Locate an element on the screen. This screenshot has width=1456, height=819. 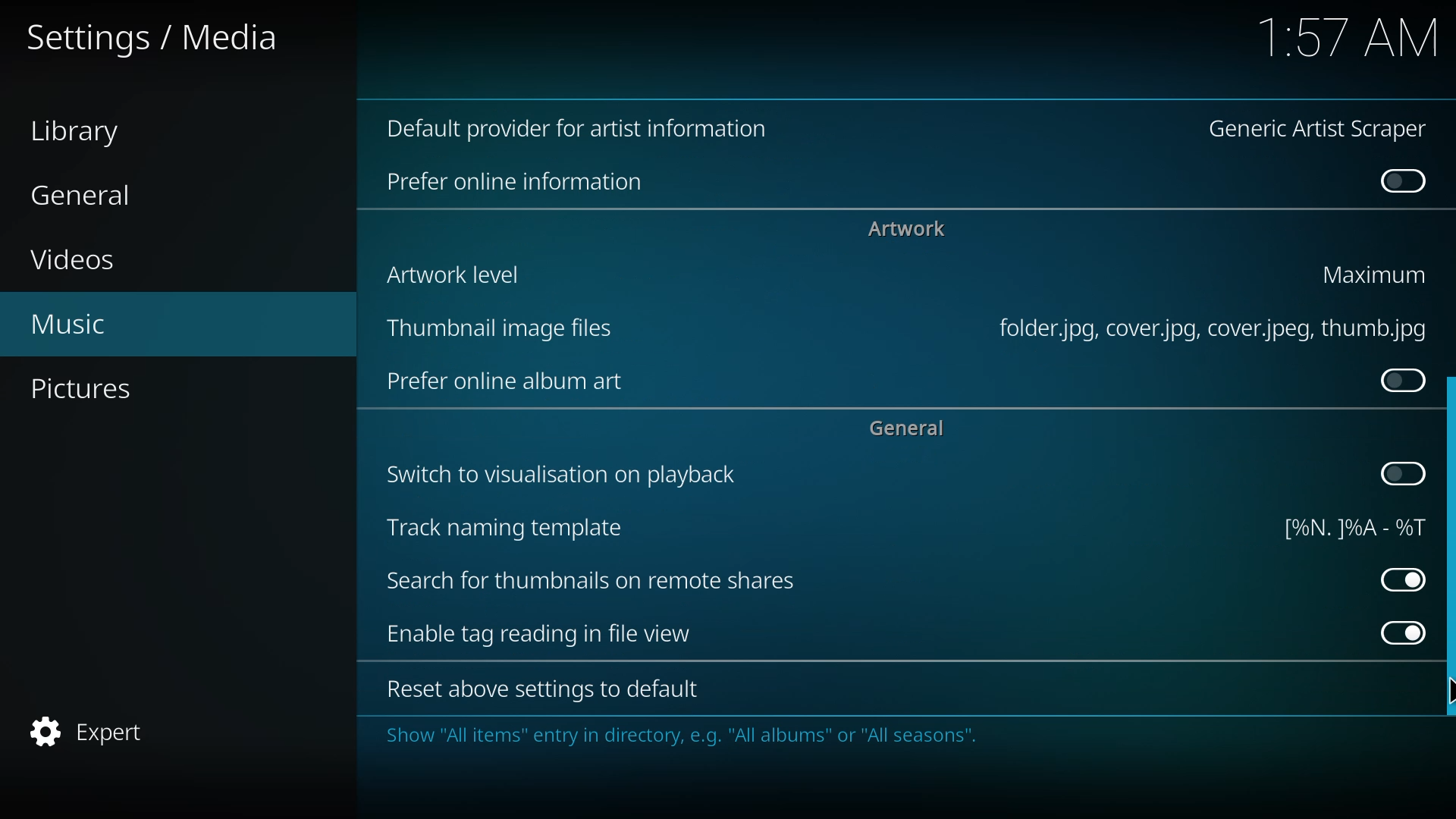
time is located at coordinates (1345, 36).